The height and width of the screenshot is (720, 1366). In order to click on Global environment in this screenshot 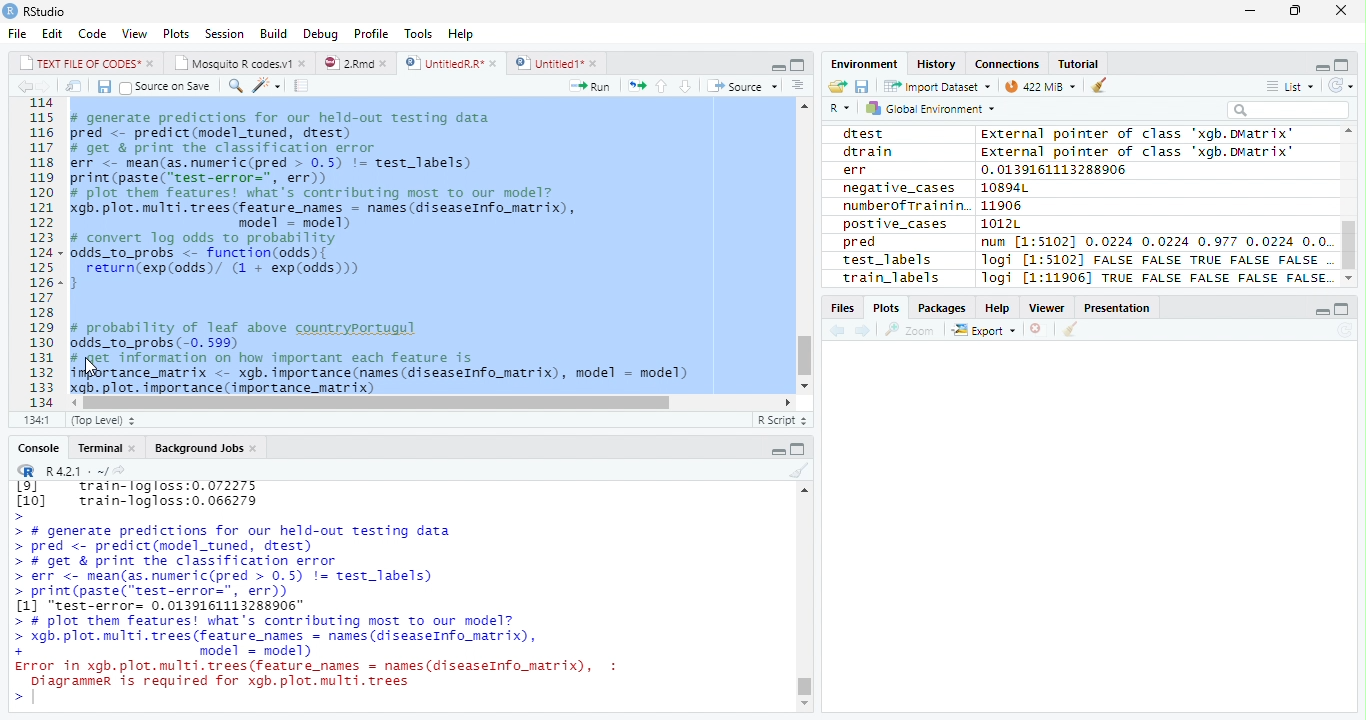, I will do `click(930, 109)`.